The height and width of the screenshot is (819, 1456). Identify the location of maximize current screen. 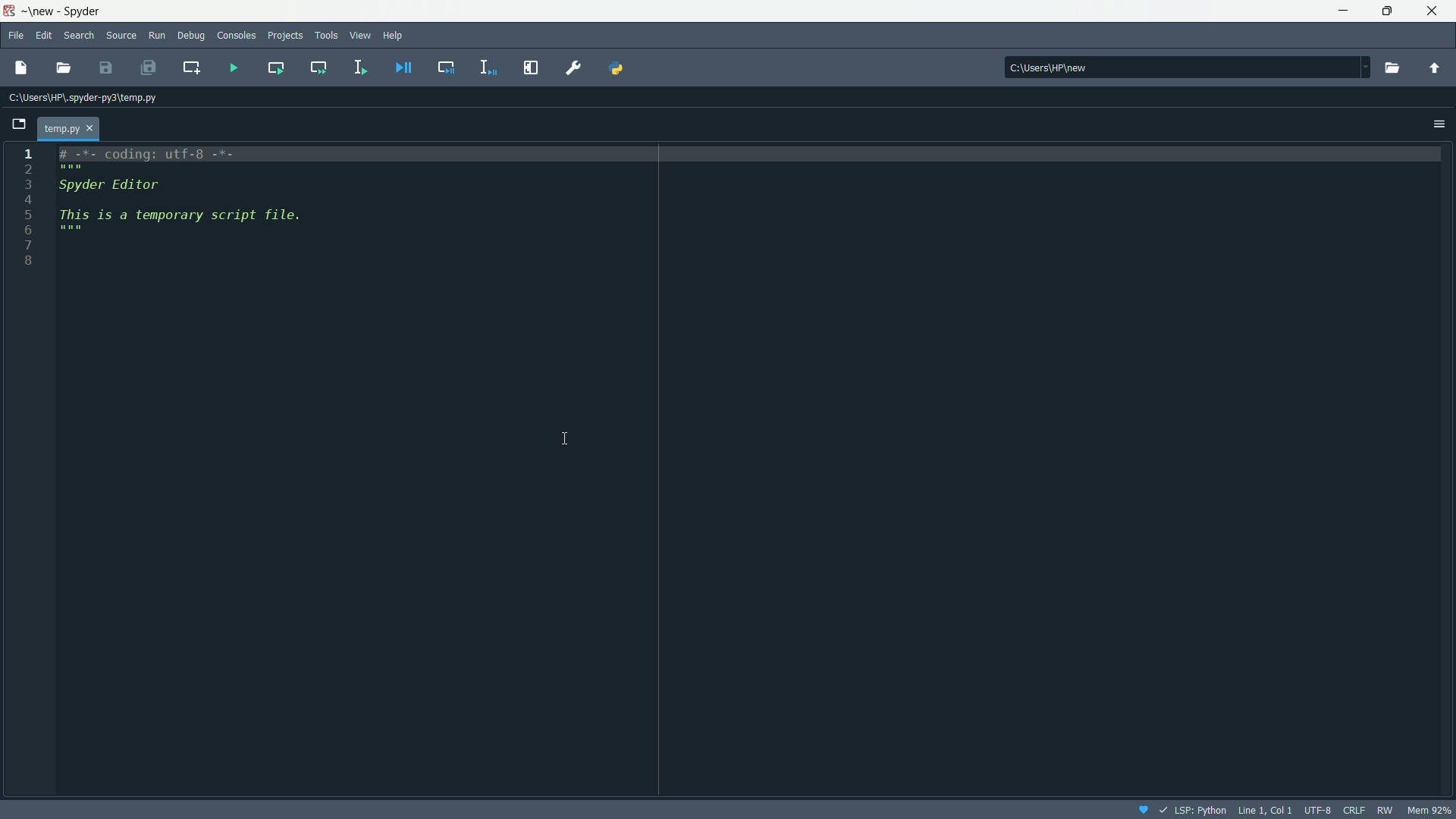
(530, 67).